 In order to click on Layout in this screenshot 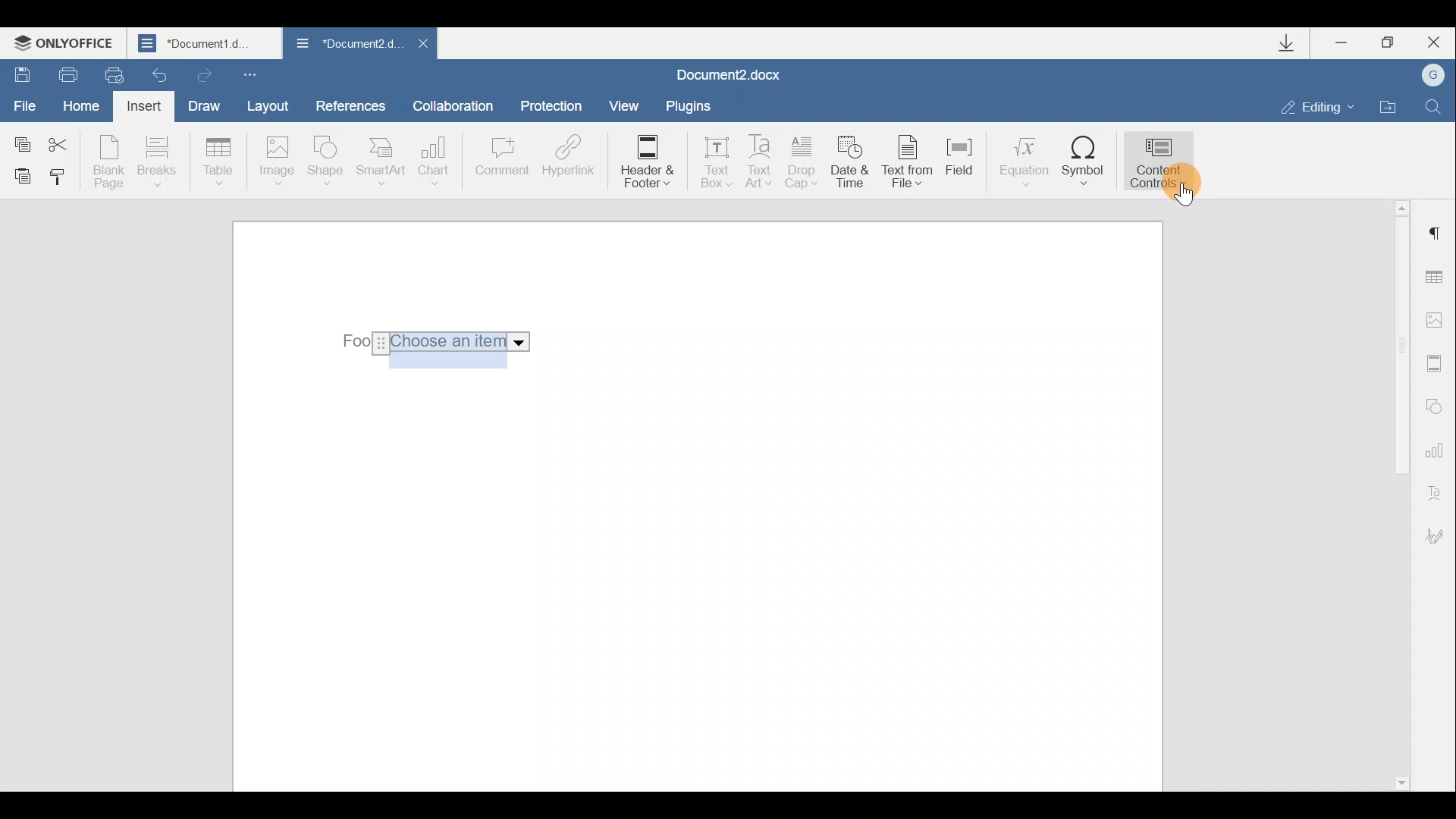, I will do `click(267, 105)`.